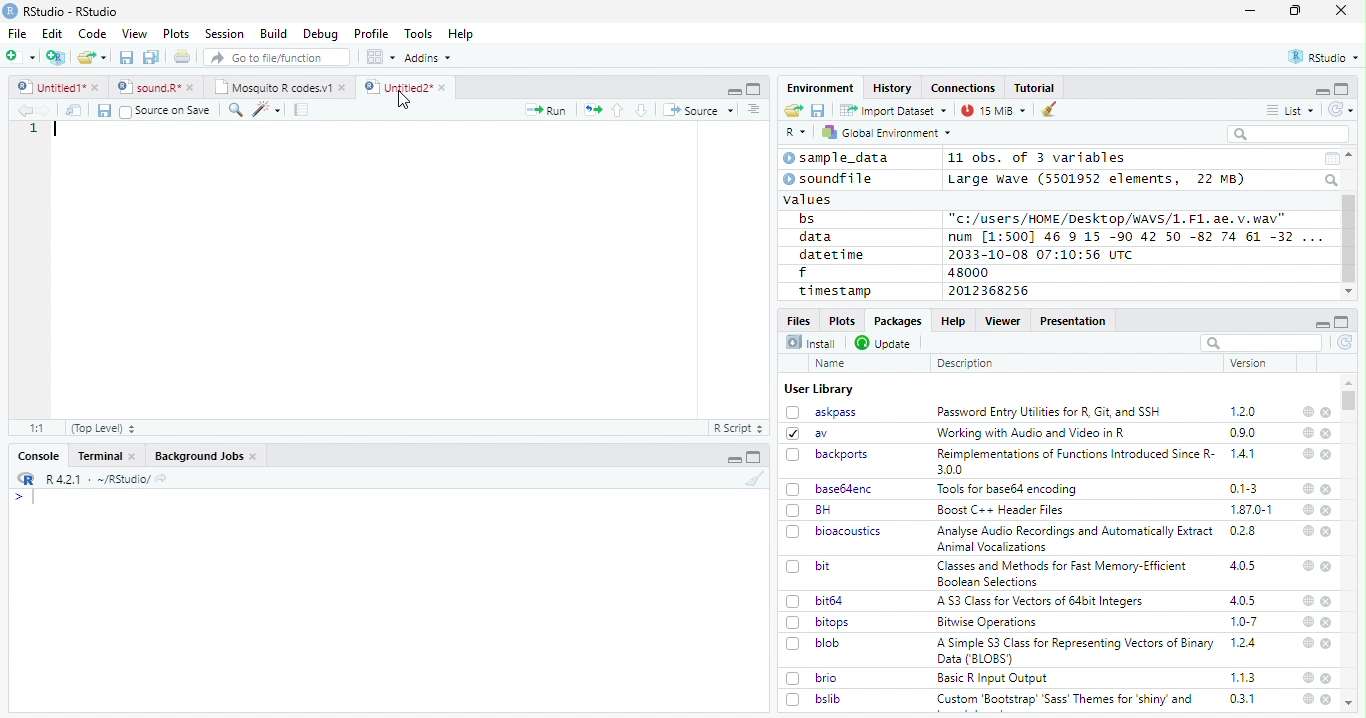  What do you see at coordinates (796, 133) in the screenshot?
I see `R` at bounding box center [796, 133].